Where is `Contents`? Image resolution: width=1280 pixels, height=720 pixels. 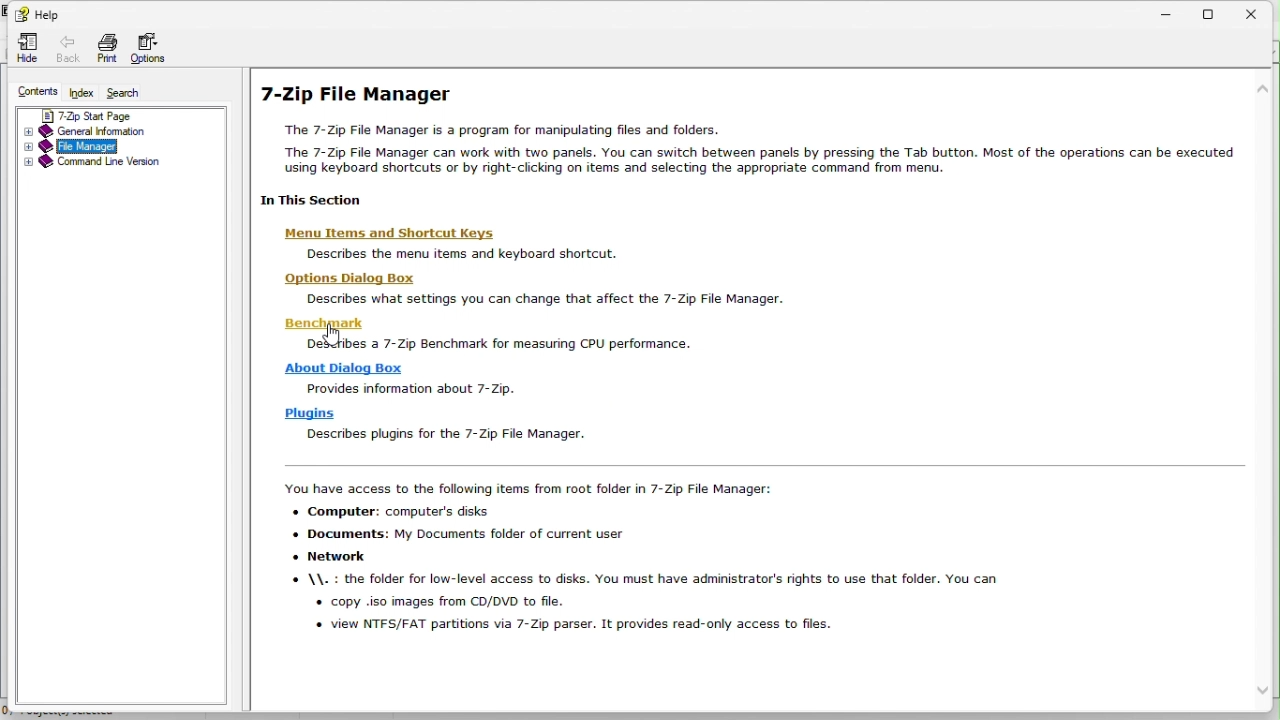
Contents is located at coordinates (31, 91).